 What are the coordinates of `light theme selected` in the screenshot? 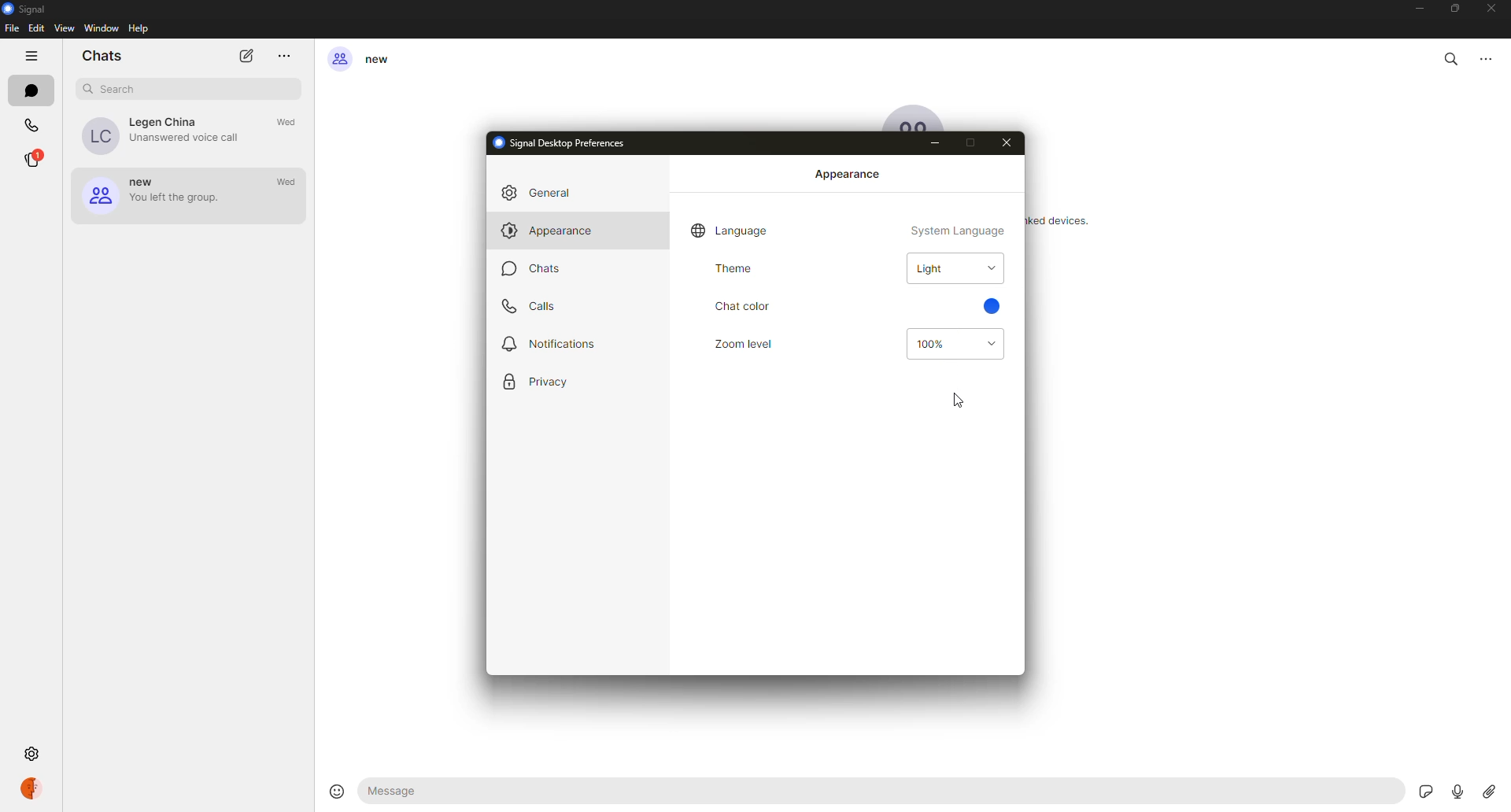 It's located at (956, 272).